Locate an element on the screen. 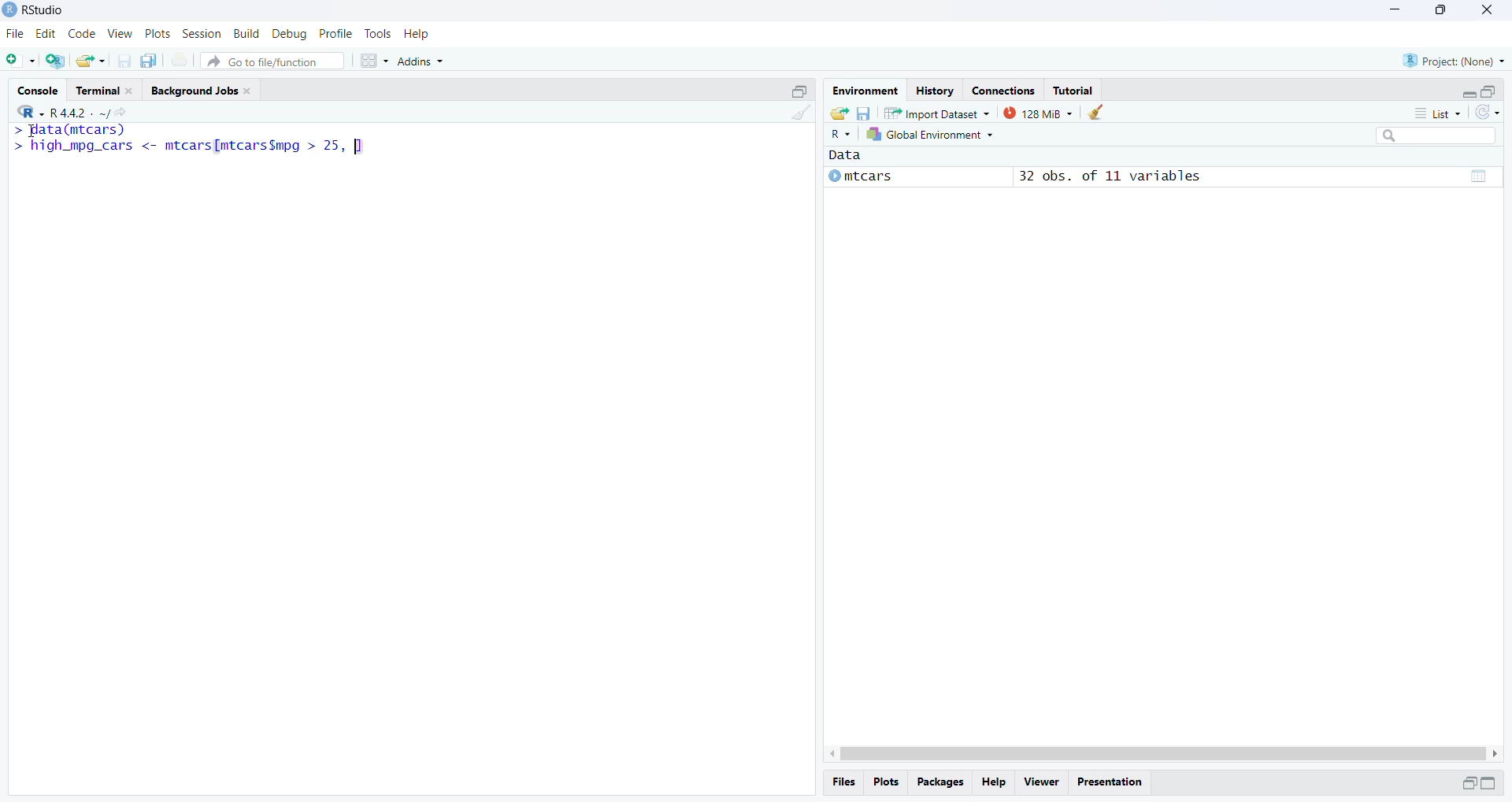 The height and width of the screenshot is (802, 1512). create a project is located at coordinates (57, 61).